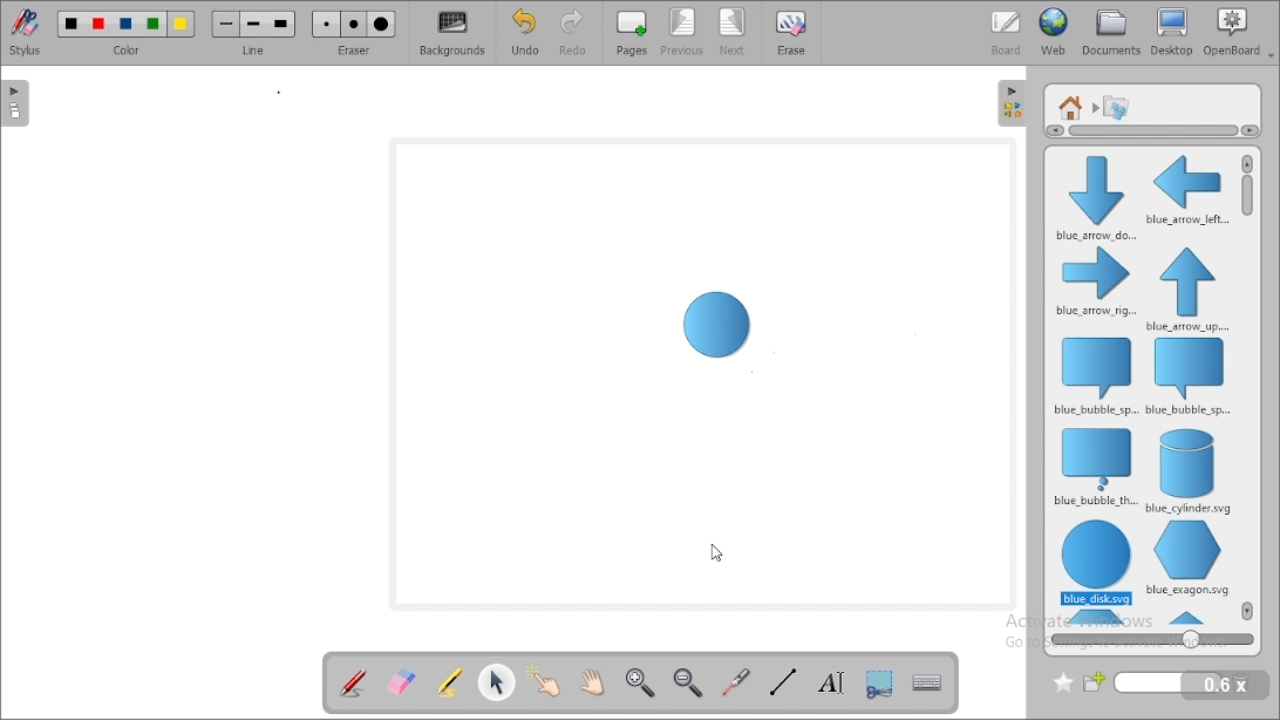 The width and height of the screenshot is (1280, 720). What do you see at coordinates (641, 683) in the screenshot?
I see `zoom in` at bounding box center [641, 683].